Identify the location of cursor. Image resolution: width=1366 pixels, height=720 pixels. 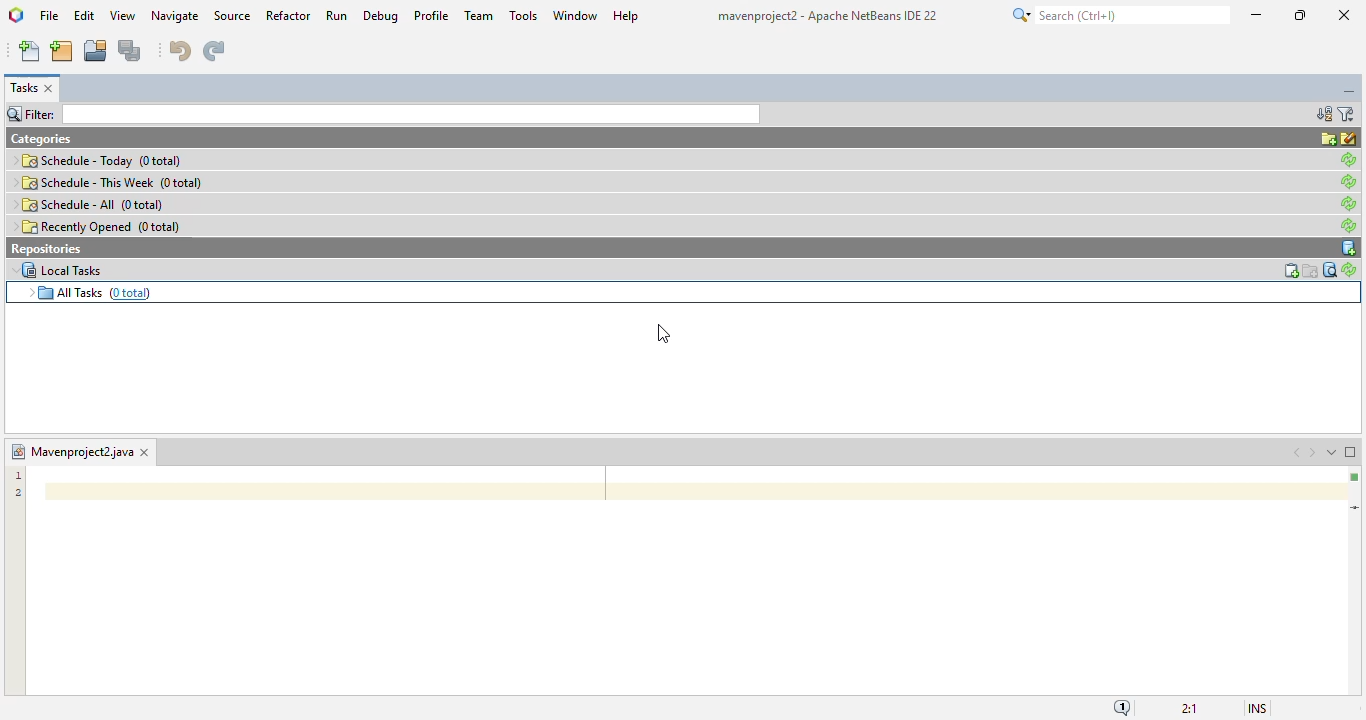
(663, 333).